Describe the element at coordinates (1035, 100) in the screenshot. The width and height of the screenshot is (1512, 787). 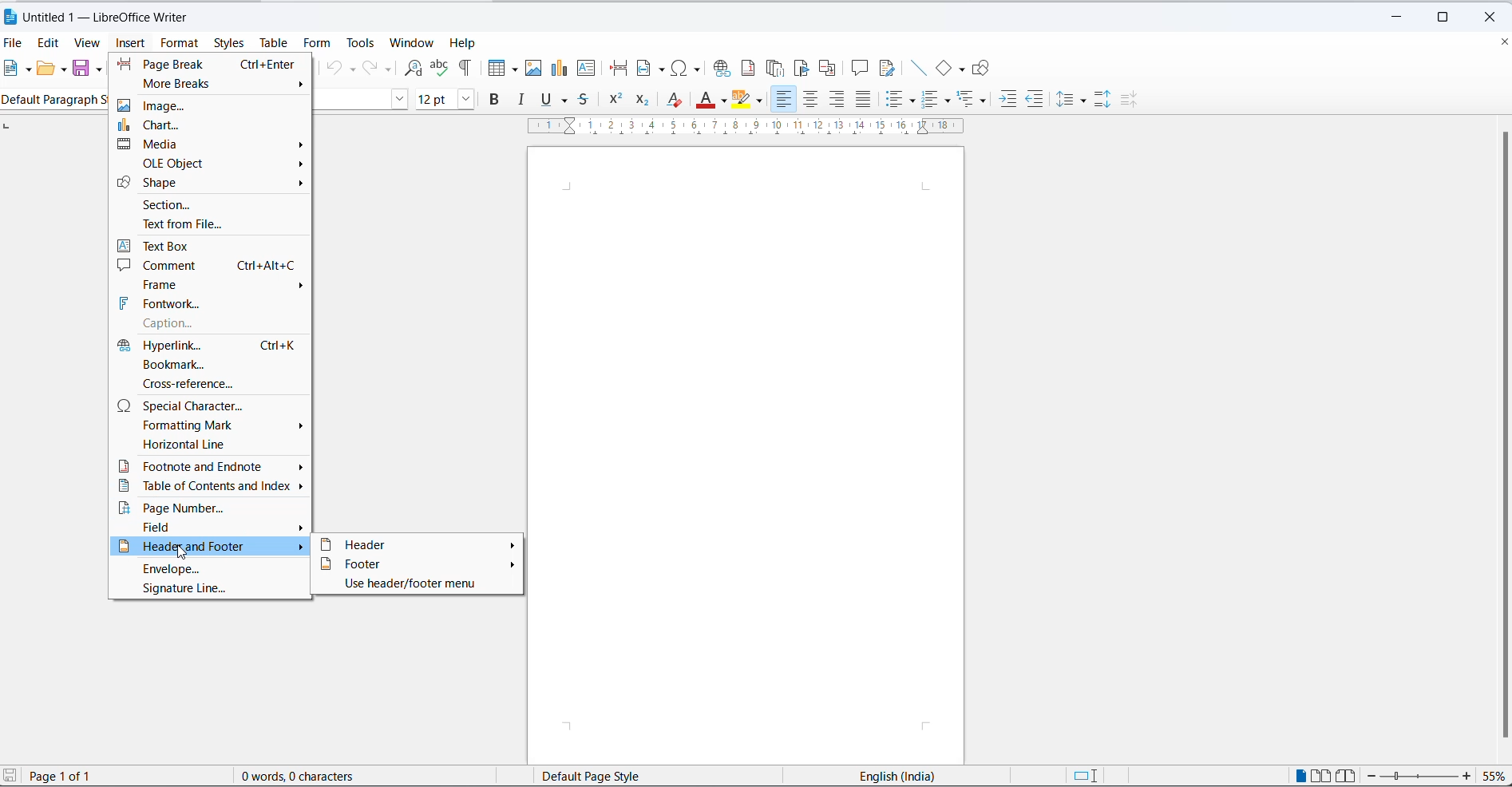
I see `decrease indent` at that location.